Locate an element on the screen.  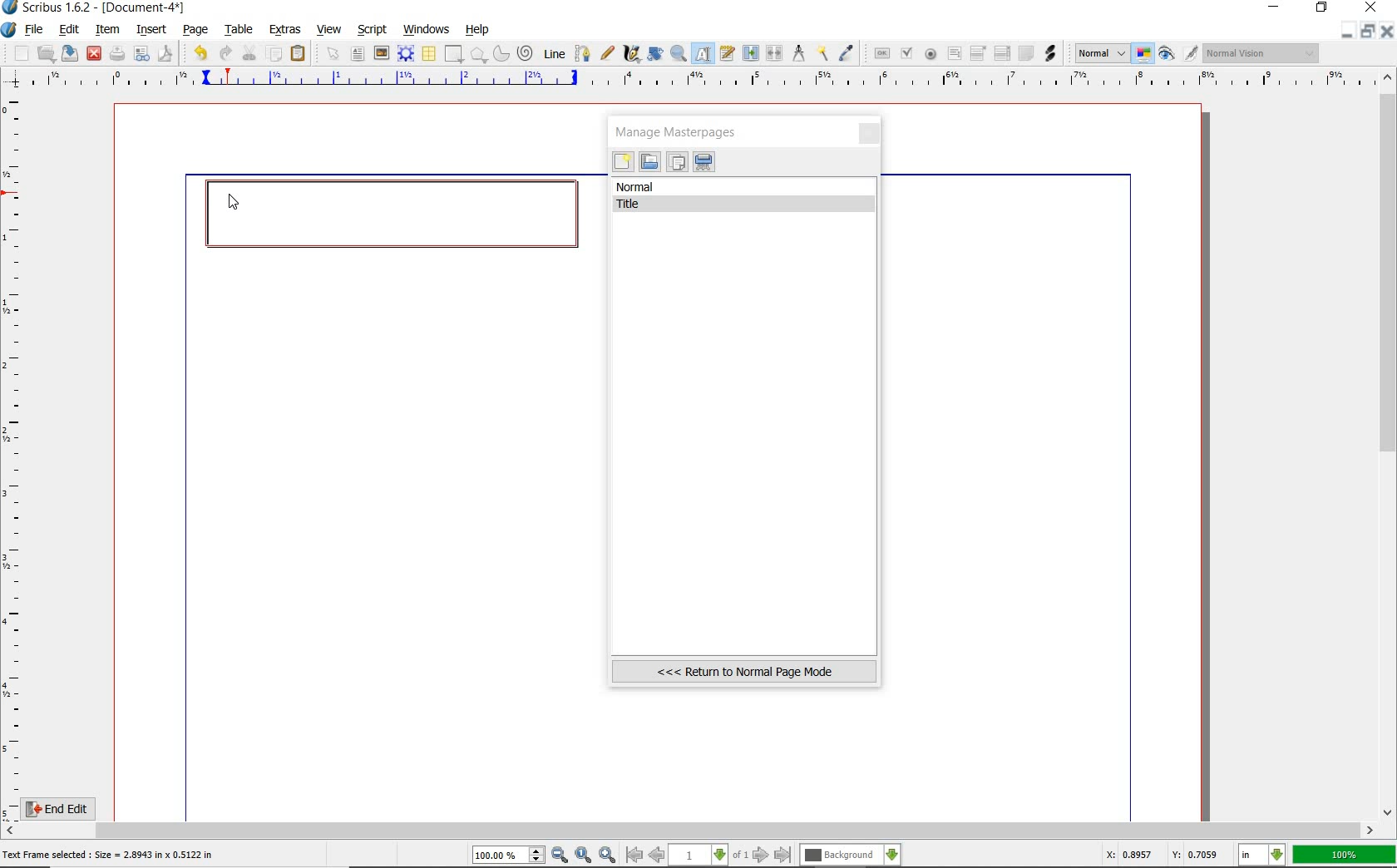
zoom to 100% is located at coordinates (585, 856).